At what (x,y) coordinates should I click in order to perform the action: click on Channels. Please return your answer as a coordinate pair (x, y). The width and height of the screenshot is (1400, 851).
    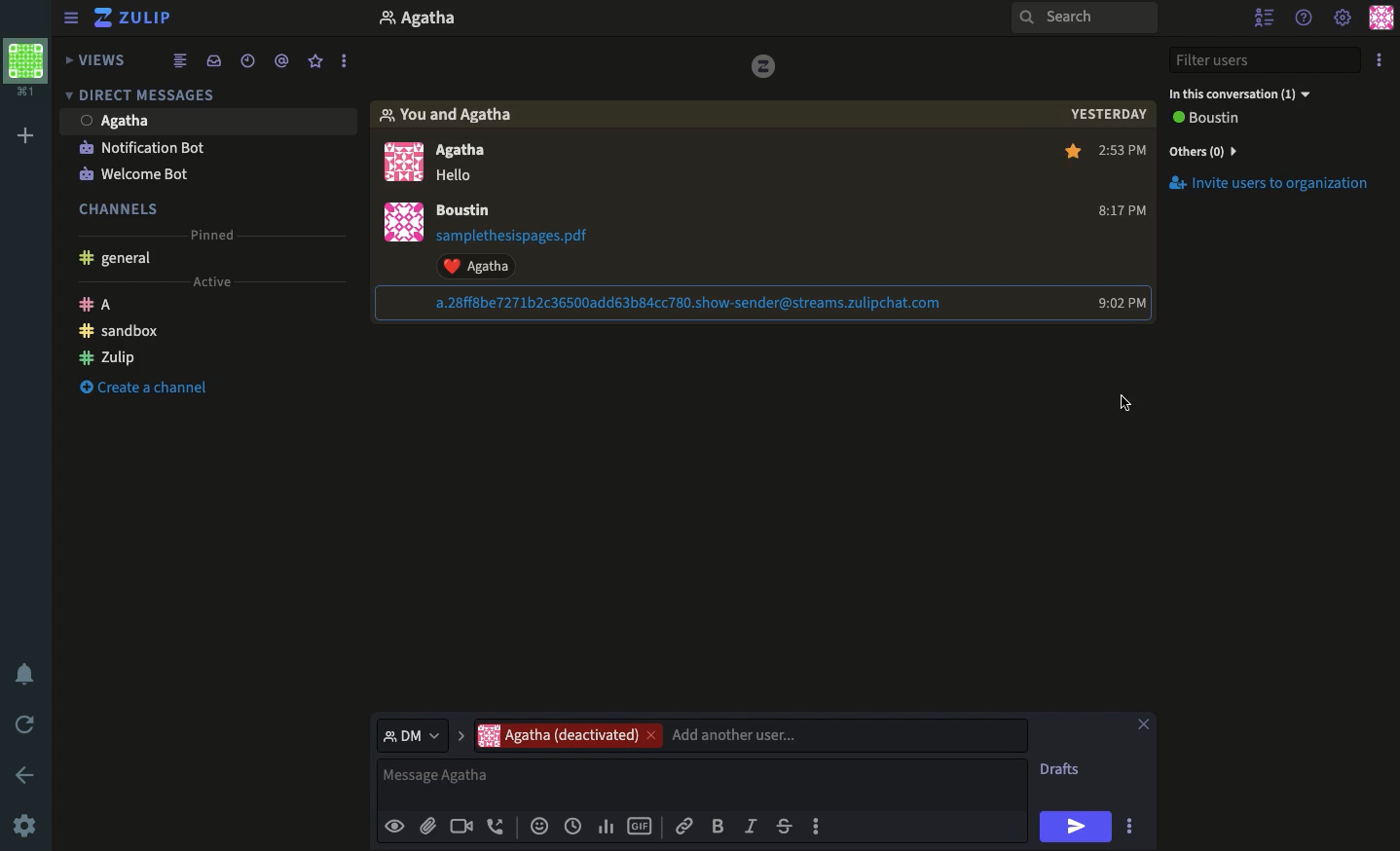
    Looking at the image, I should click on (121, 208).